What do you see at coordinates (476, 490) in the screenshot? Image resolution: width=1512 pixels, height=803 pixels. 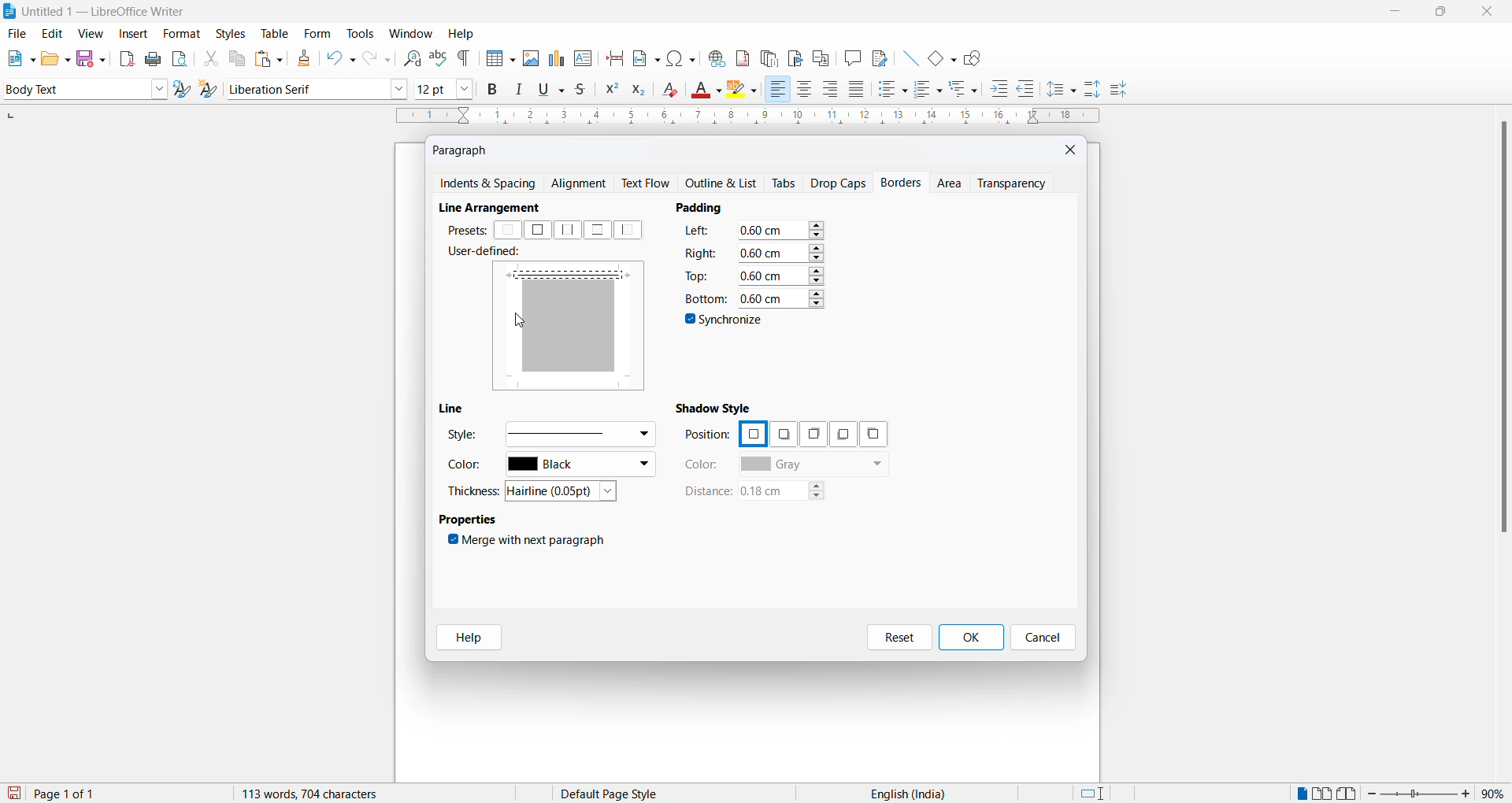 I see `thickness` at bounding box center [476, 490].